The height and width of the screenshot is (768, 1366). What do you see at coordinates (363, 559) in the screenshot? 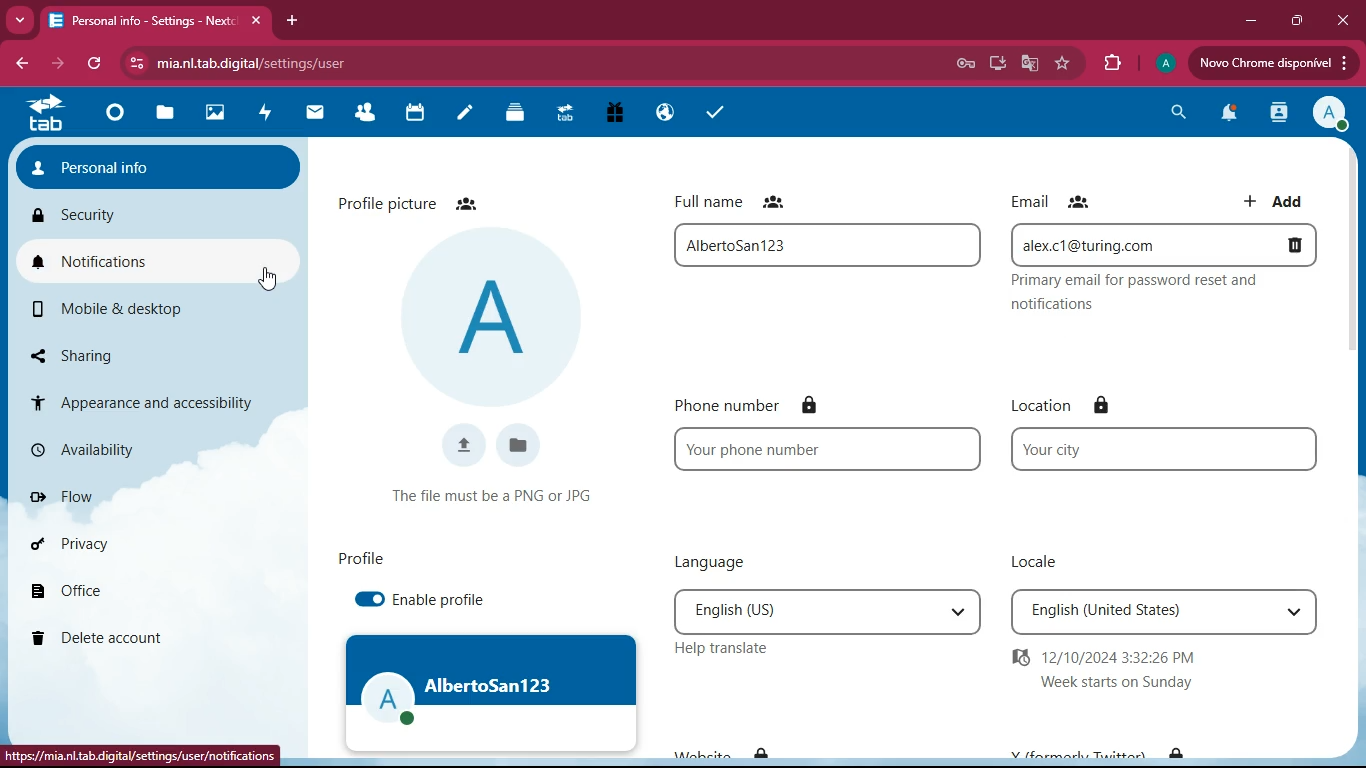
I see `profile` at bounding box center [363, 559].